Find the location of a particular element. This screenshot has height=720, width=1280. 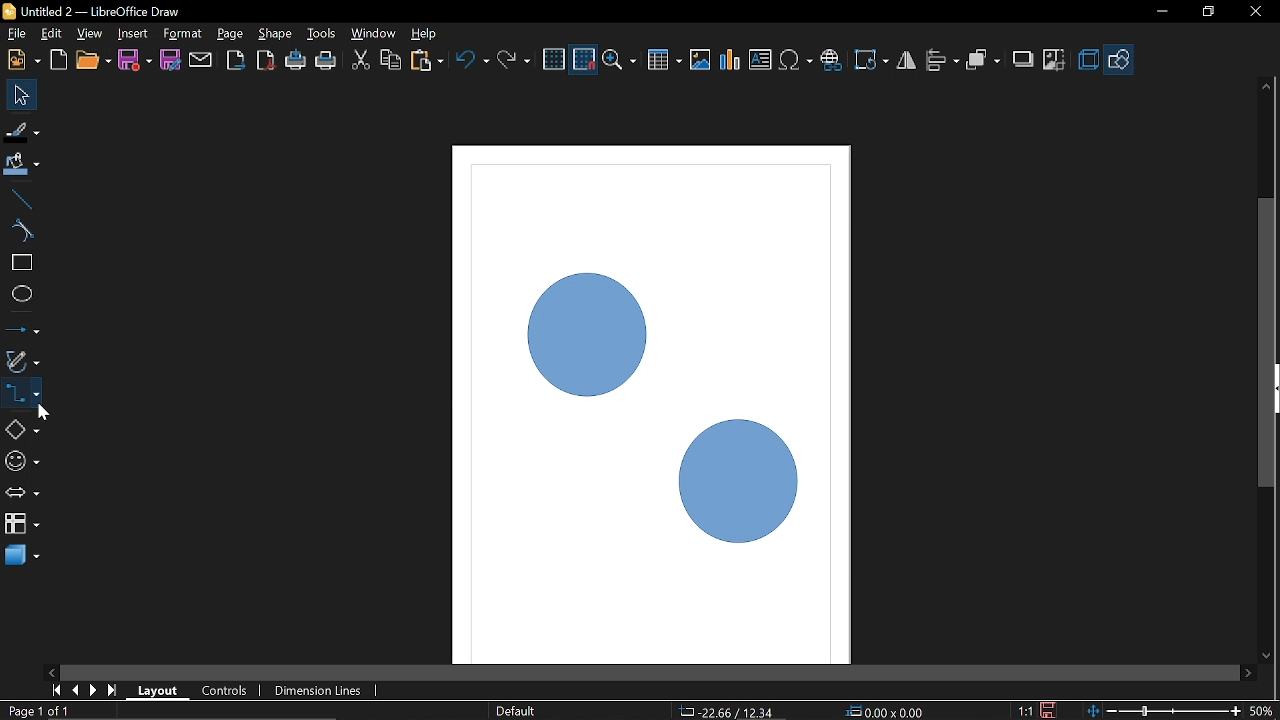

Zoom chnage is located at coordinates (1163, 711).